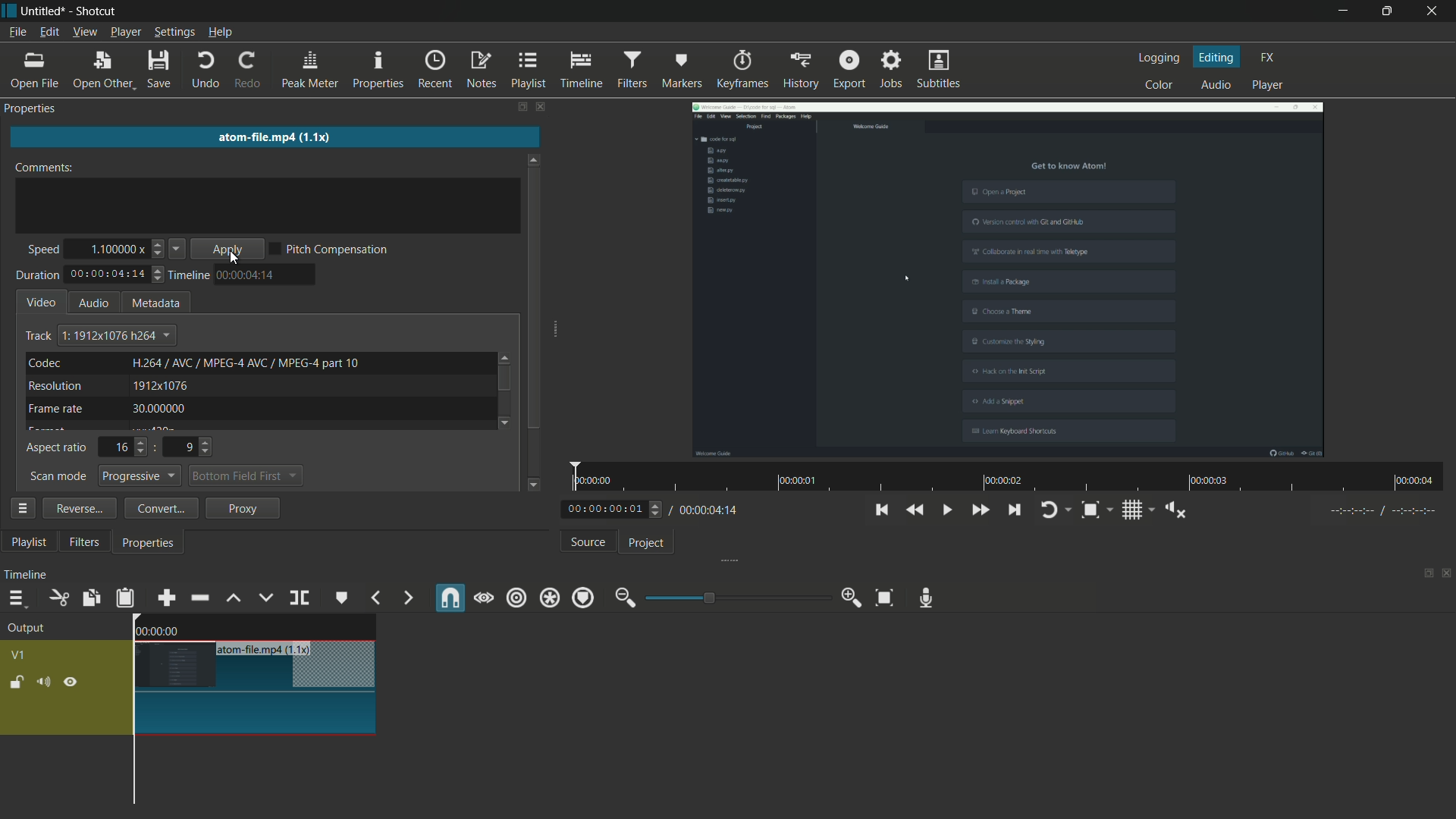 The width and height of the screenshot is (1456, 819). Describe the element at coordinates (166, 598) in the screenshot. I see `append` at that location.